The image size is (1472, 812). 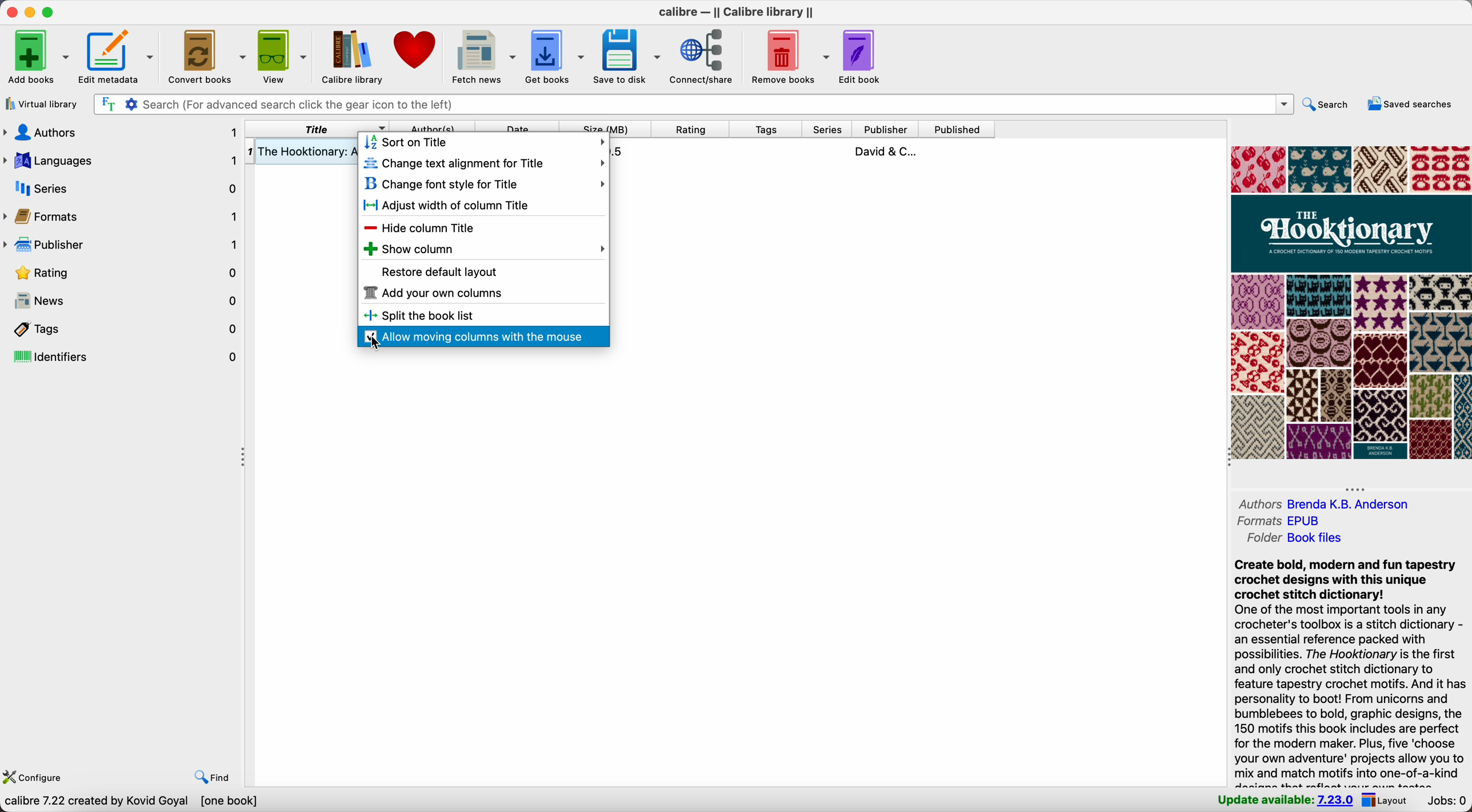 I want to click on layout, so click(x=1387, y=801).